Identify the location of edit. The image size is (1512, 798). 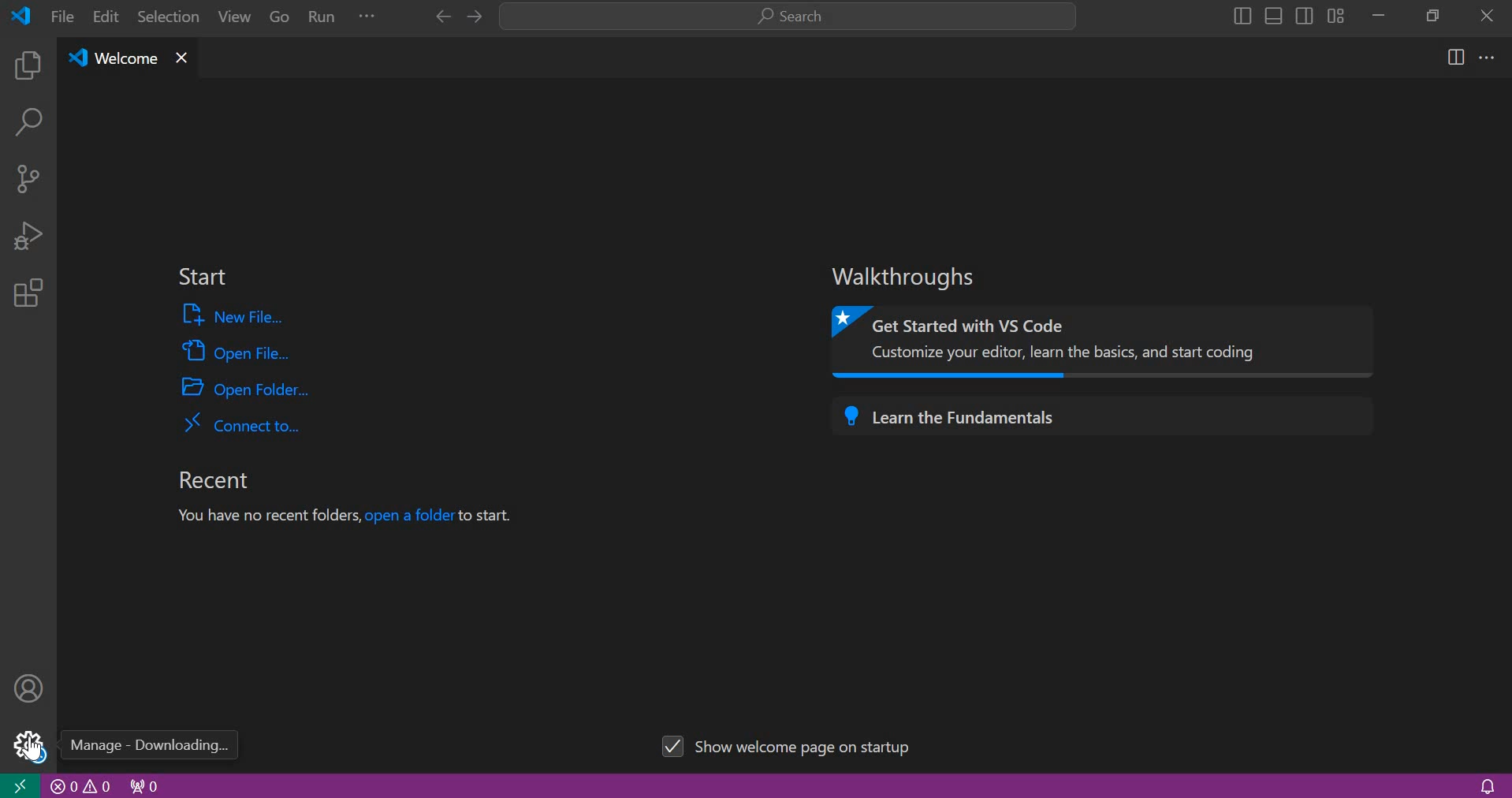
(107, 17).